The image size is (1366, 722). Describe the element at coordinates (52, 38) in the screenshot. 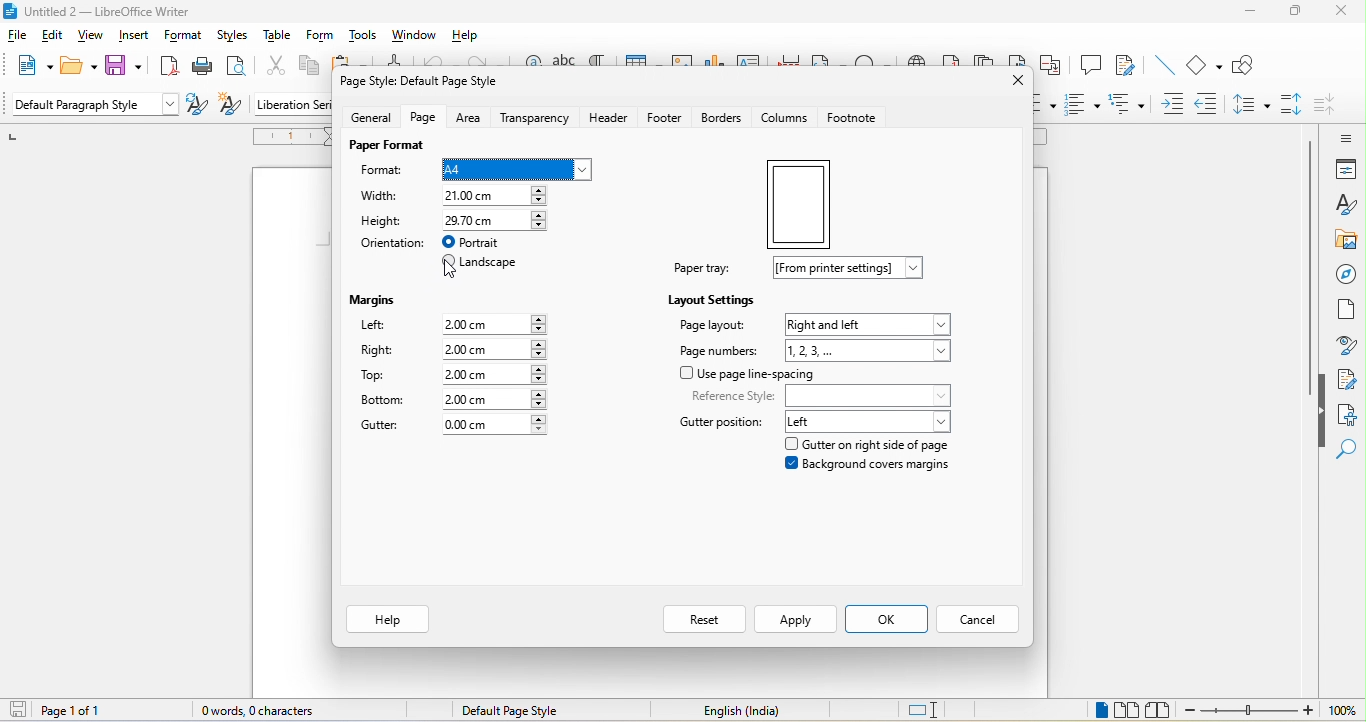

I see `edit` at that location.